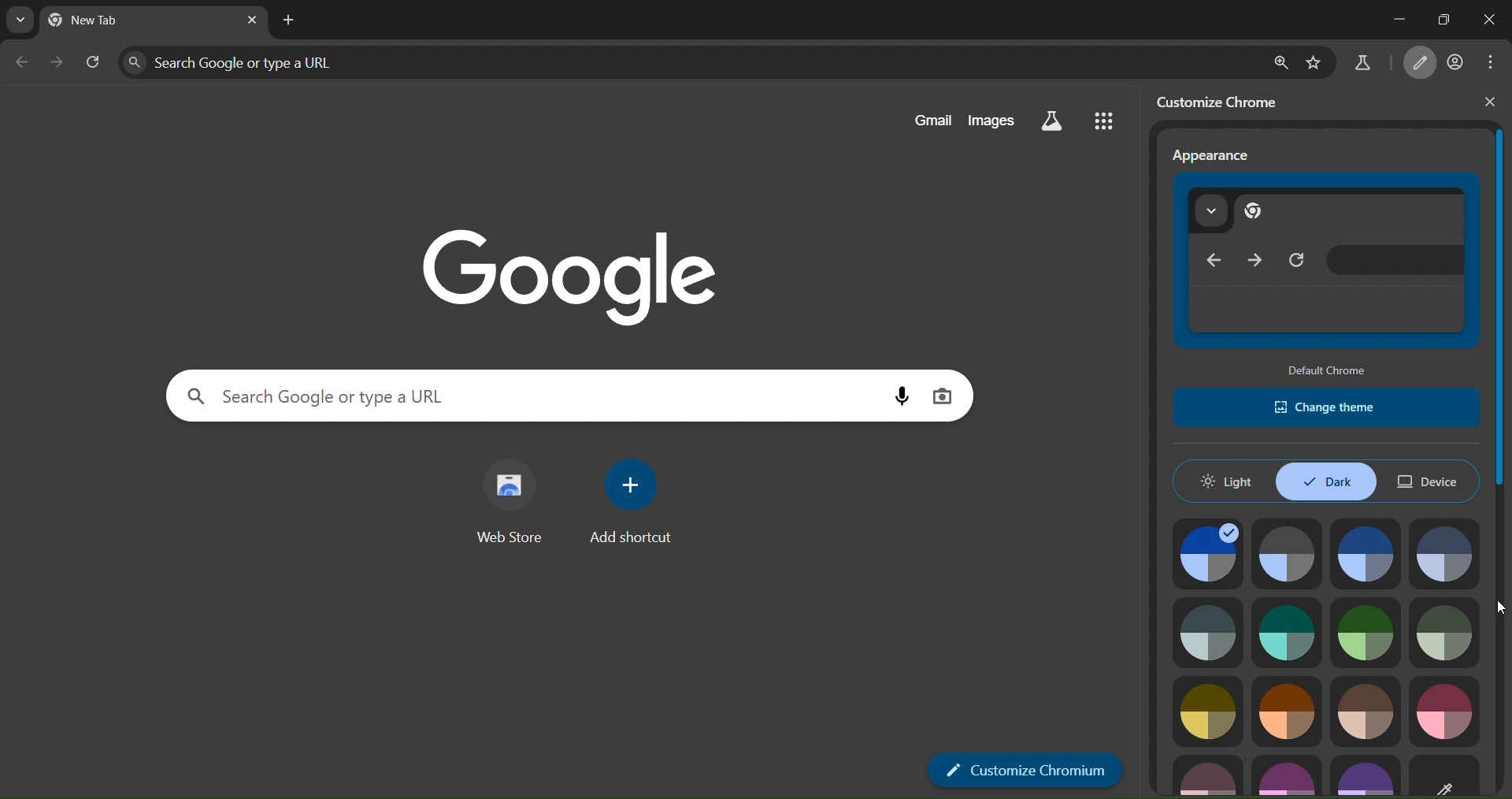 The height and width of the screenshot is (799, 1512). I want to click on search labs, so click(1361, 63).